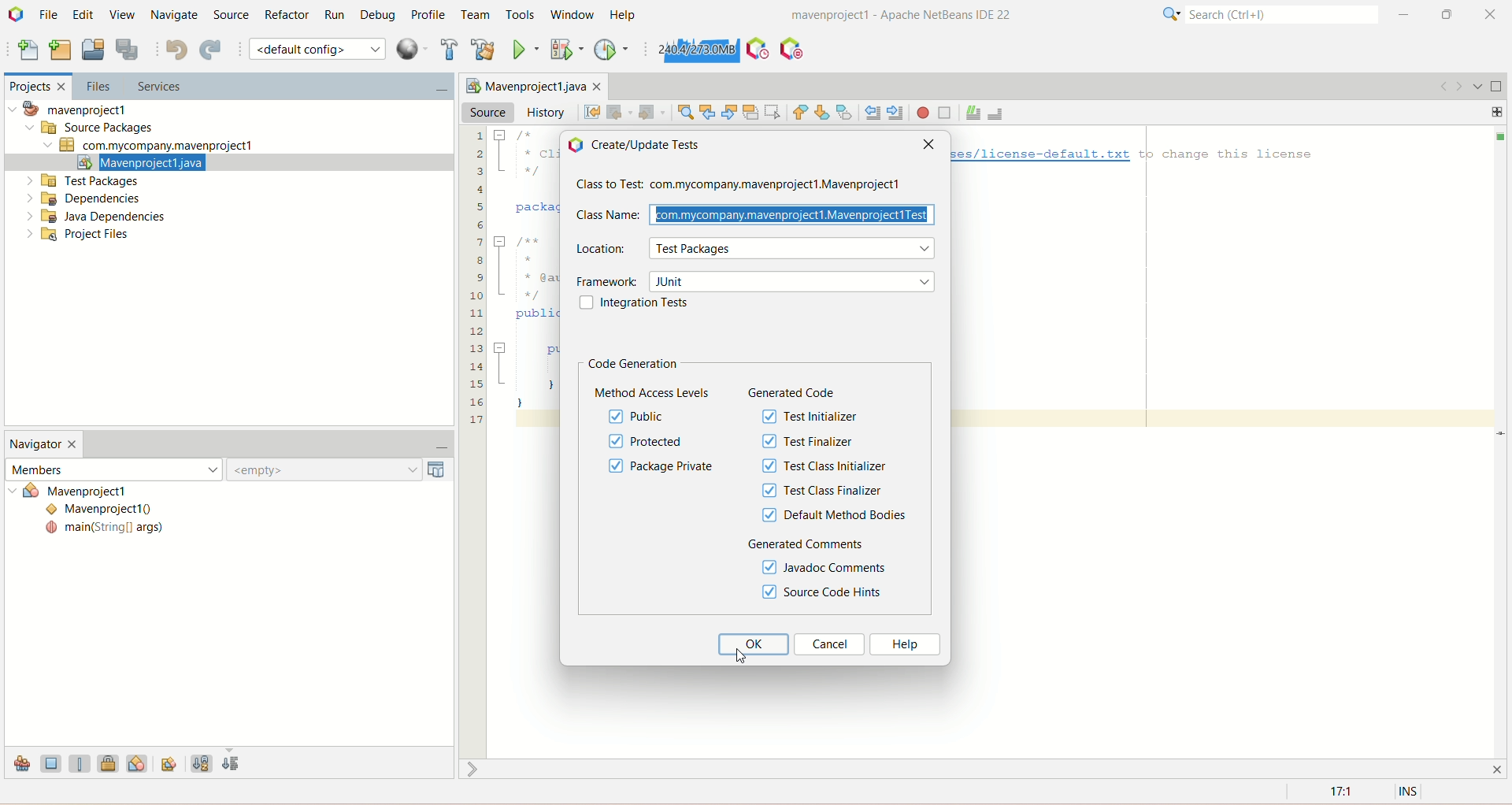  Describe the element at coordinates (809, 414) in the screenshot. I see `test initializer` at that location.